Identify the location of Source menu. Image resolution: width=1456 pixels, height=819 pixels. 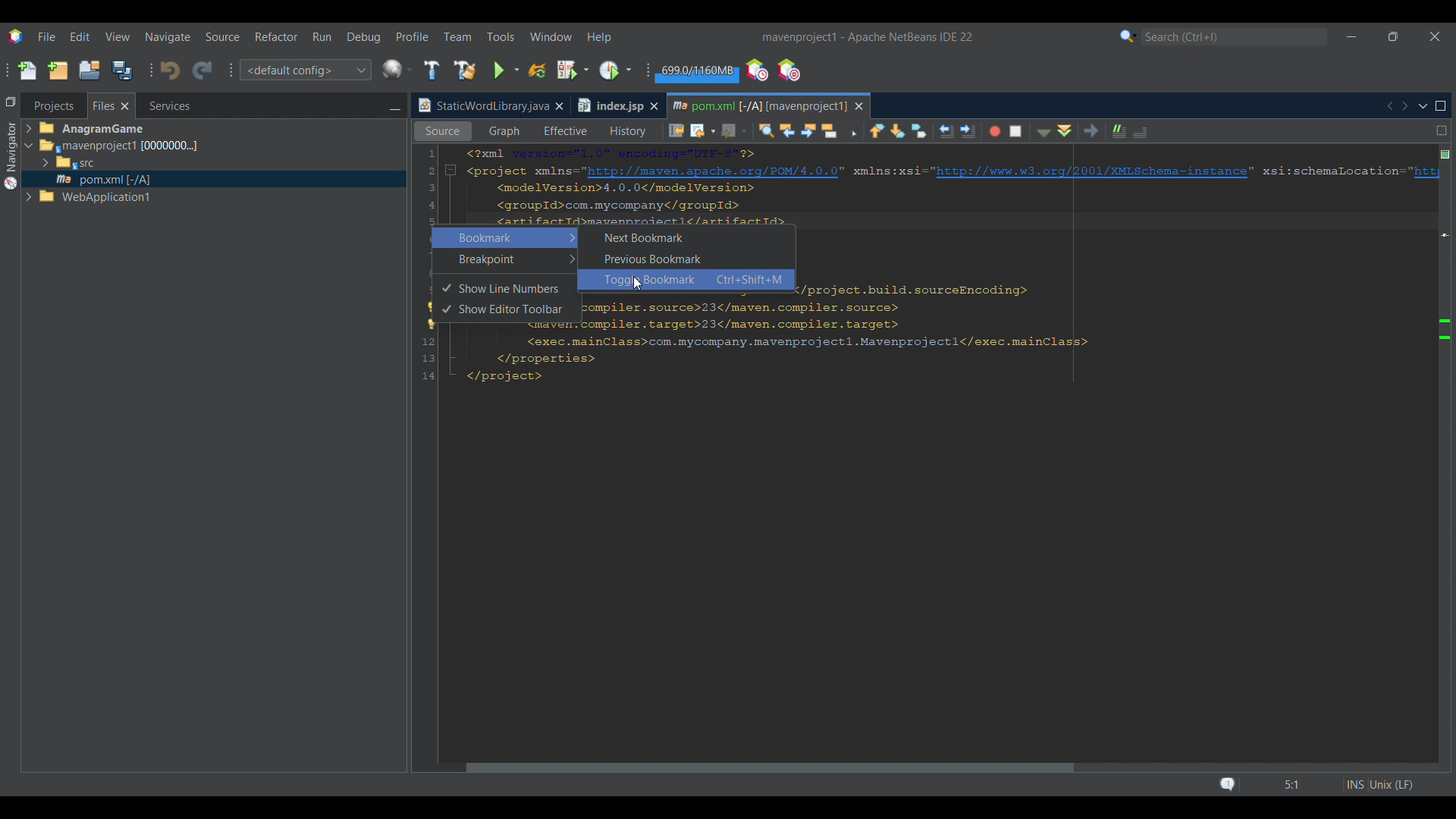
(223, 37).